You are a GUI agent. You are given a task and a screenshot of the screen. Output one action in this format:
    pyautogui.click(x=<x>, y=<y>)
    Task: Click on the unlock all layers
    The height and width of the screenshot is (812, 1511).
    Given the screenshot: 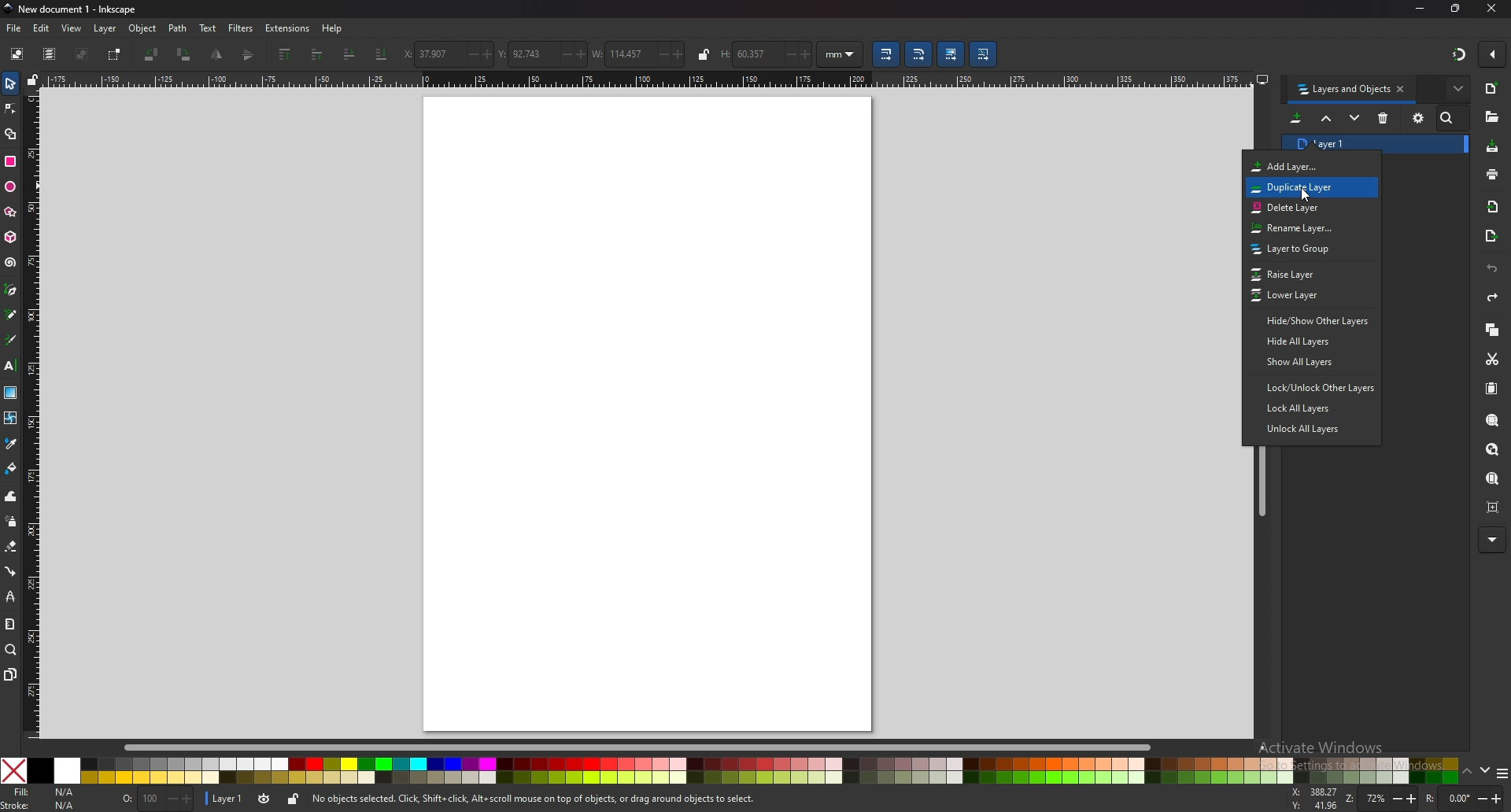 What is the action you would take?
    pyautogui.click(x=1308, y=428)
    